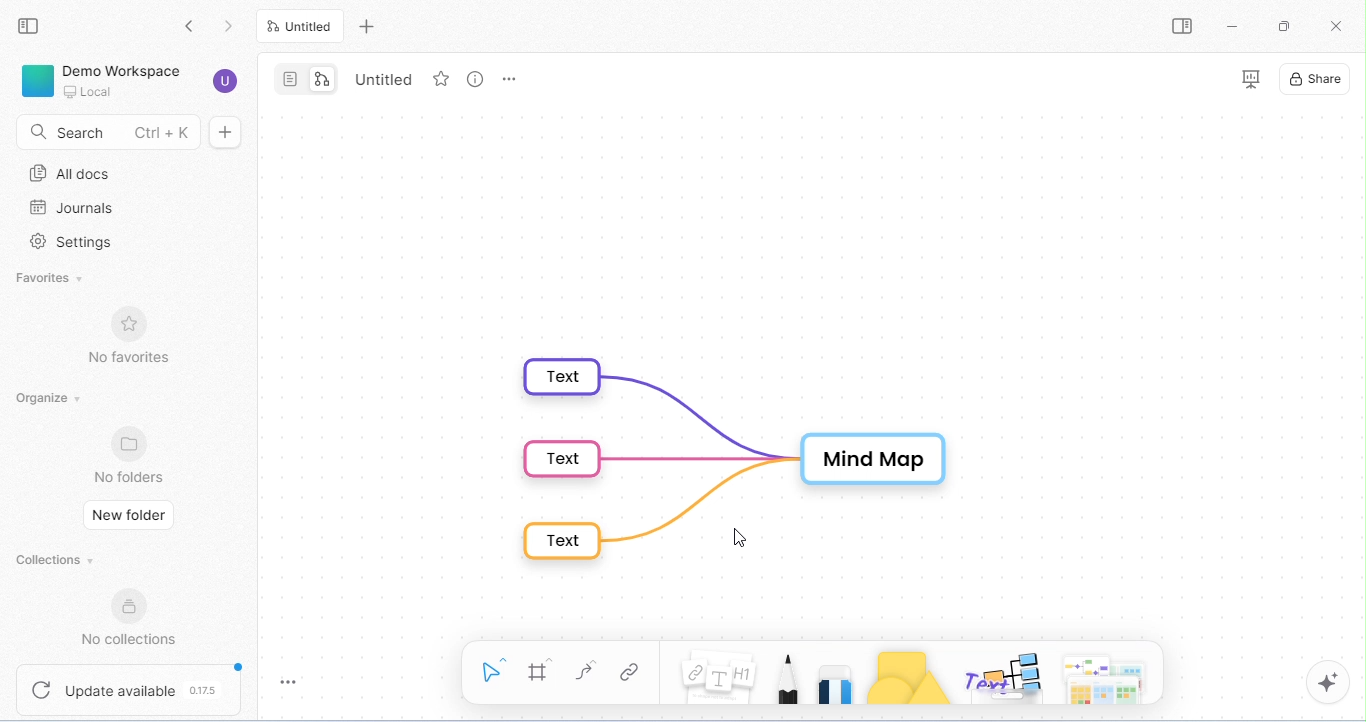 The height and width of the screenshot is (722, 1366). I want to click on pencil, so click(787, 676).